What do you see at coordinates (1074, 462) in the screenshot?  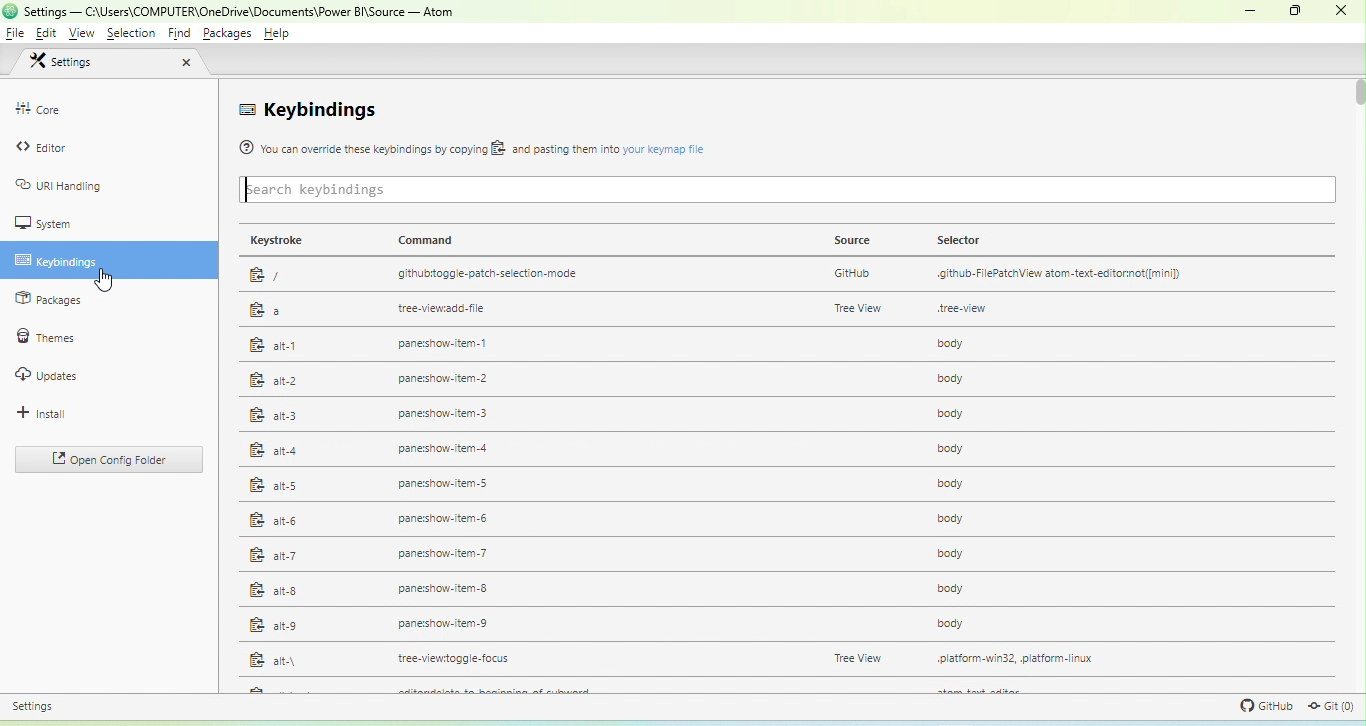 I see `selector` at bounding box center [1074, 462].